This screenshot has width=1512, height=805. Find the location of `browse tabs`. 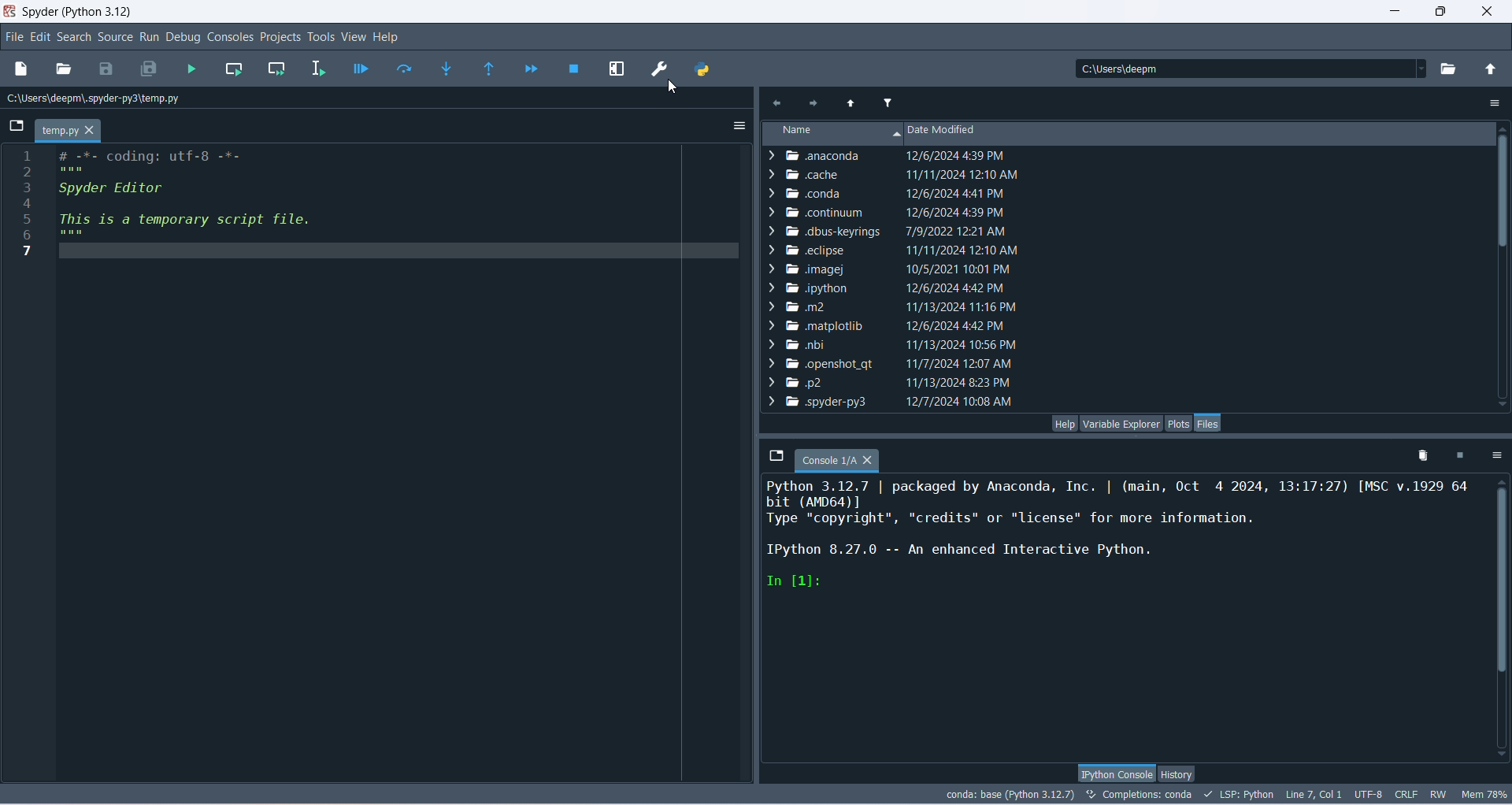

browse tabs is located at coordinates (13, 126).